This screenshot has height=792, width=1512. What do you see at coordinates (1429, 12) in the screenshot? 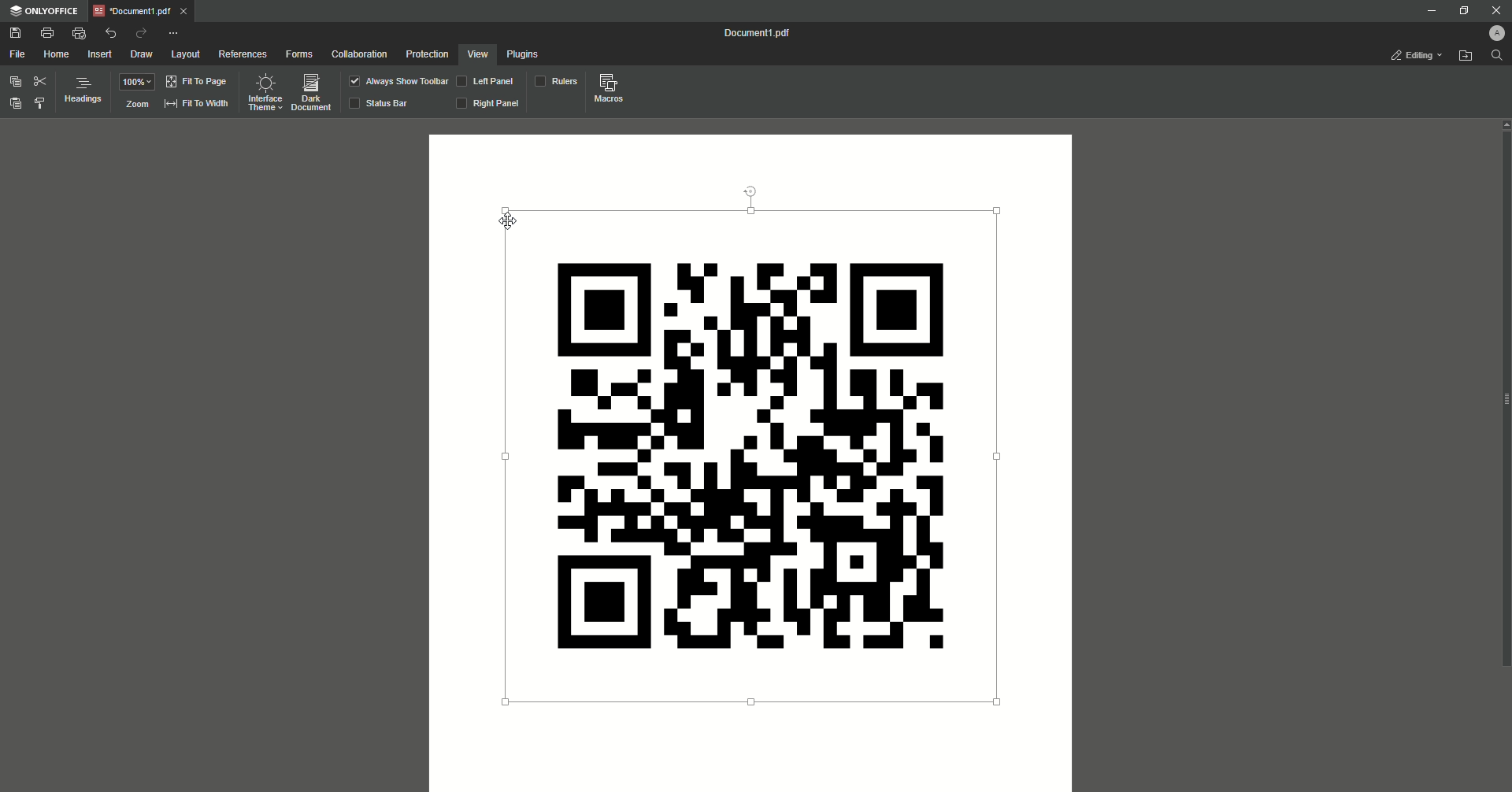
I see `Minimize` at bounding box center [1429, 12].